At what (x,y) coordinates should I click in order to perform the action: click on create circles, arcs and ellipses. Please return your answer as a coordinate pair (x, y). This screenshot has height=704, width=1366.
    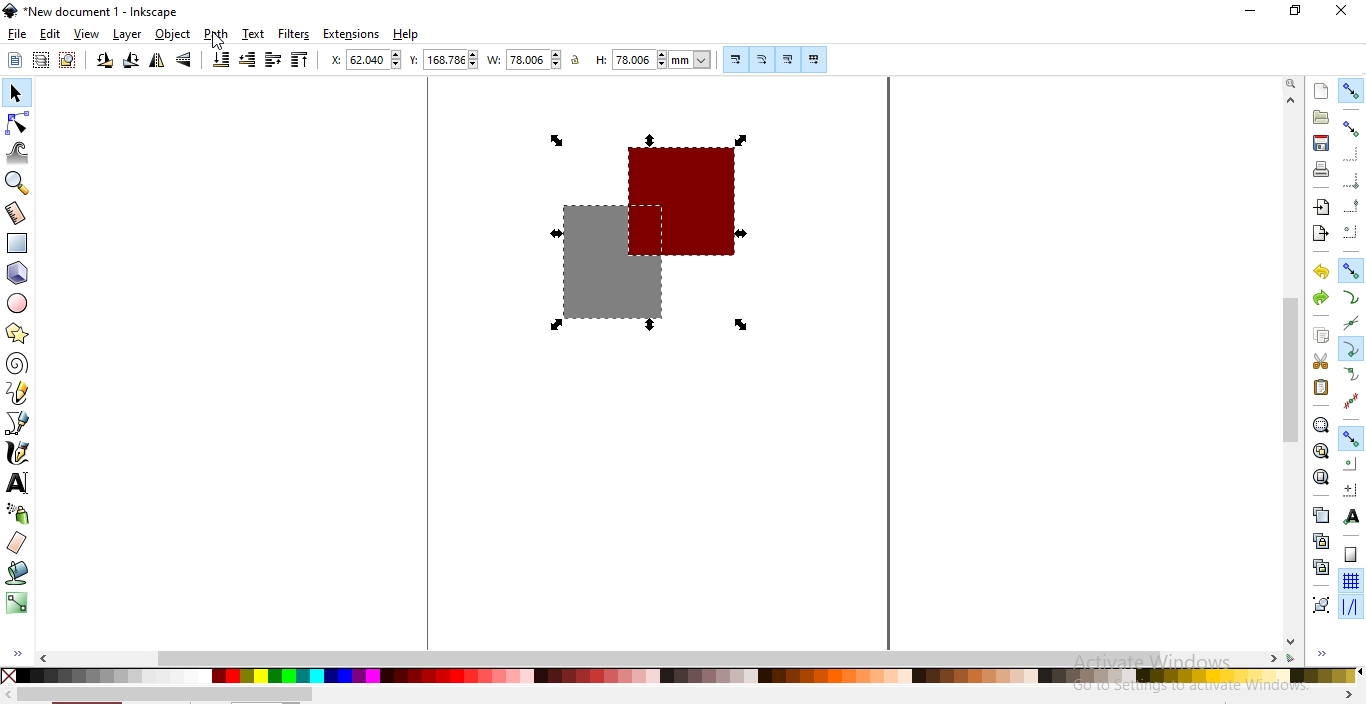
    Looking at the image, I should click on (18, 304).